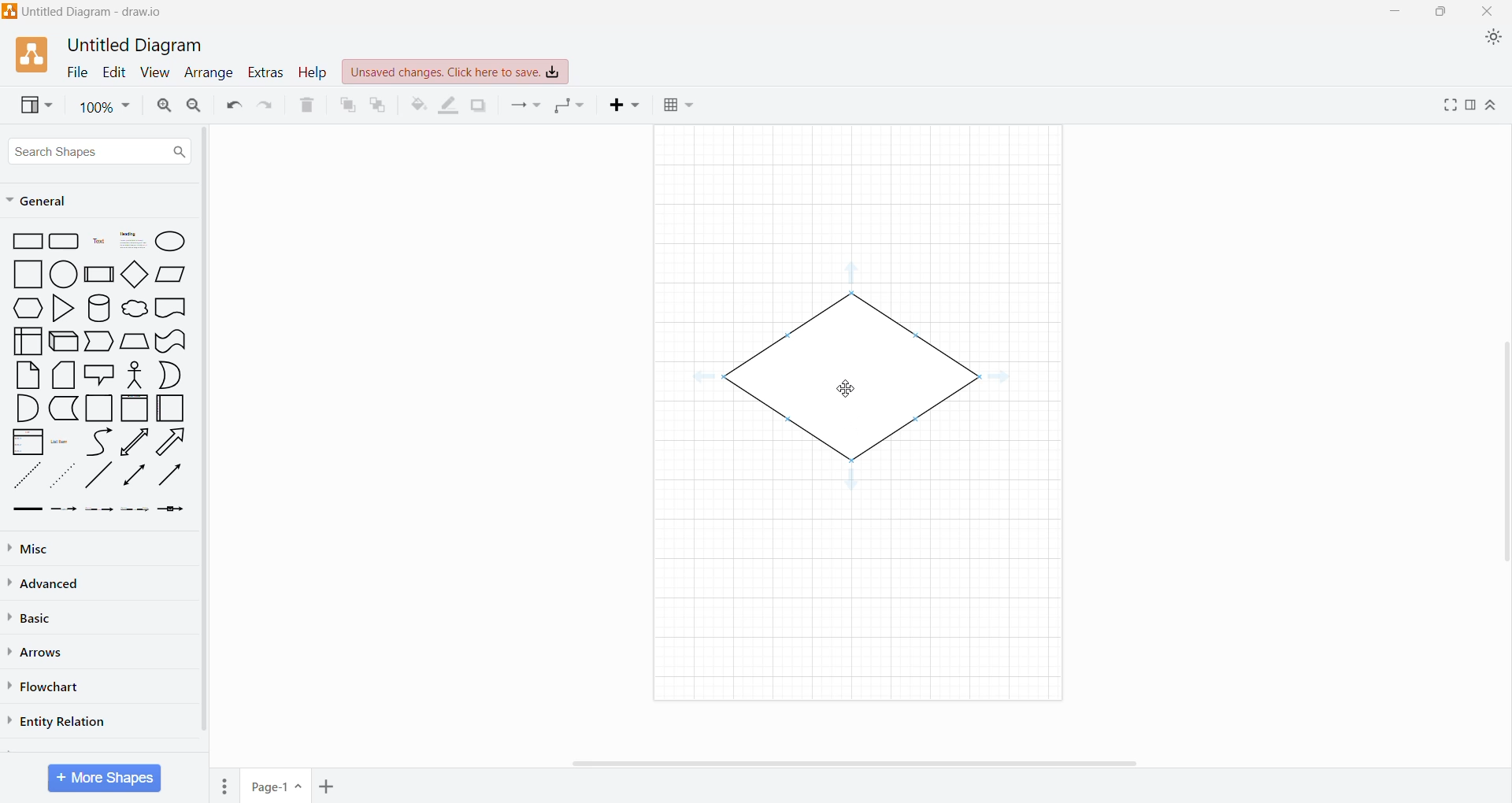 This screenshot has width=1512, height=803. What do you see at coordinates (573, 105) in the screenshot?
I see `Waypoints` at bounding box center [573, 105].